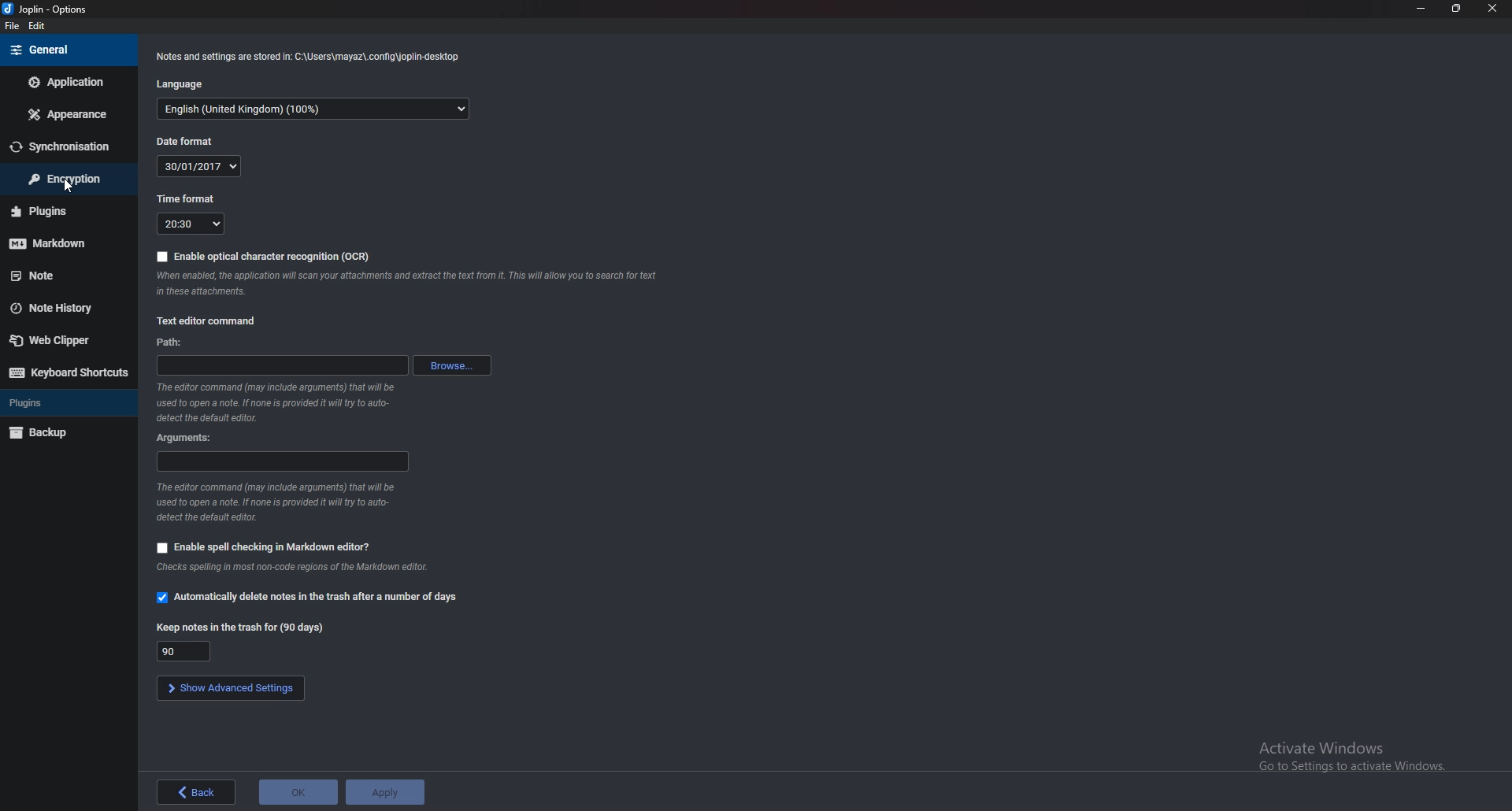 Image resolution: width=1512 pixels, height=811 pixels. Describe the element at coordinates (1458, 9) in the screenshot. I see `resize` at that location.